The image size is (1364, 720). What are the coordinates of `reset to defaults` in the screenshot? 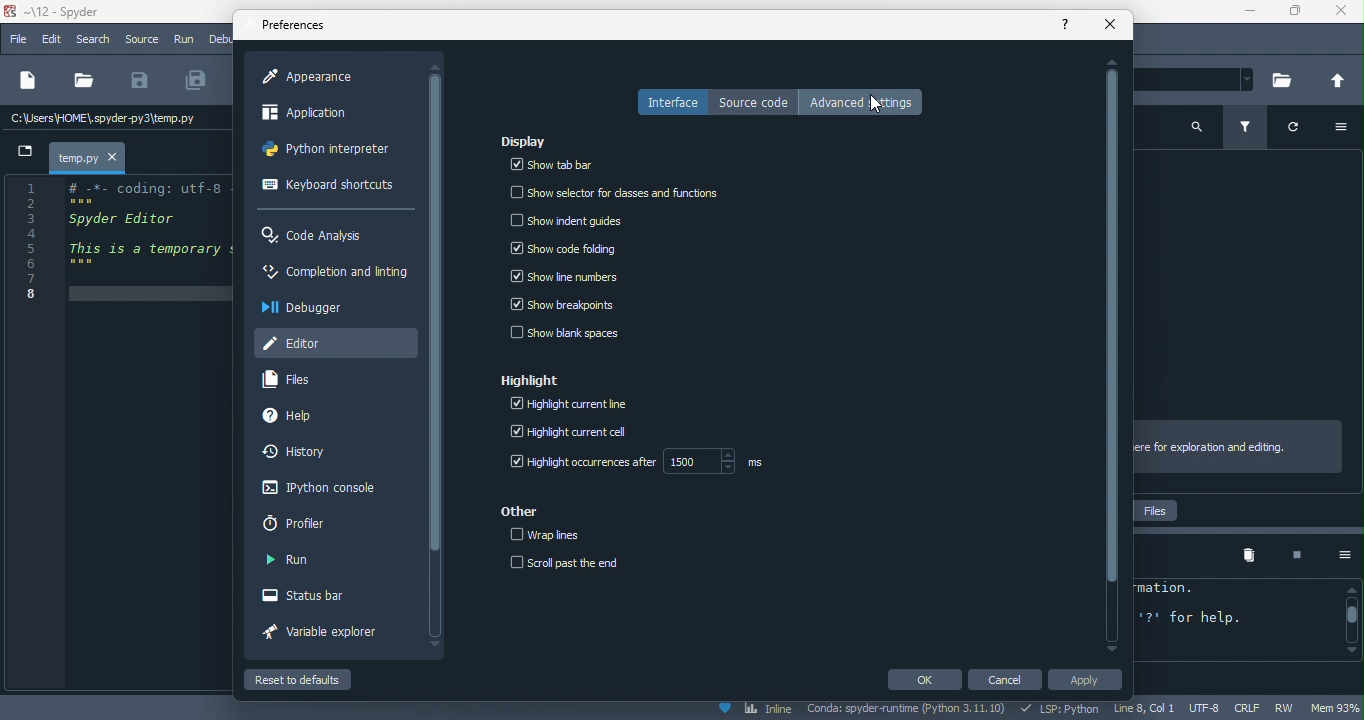 It's located at (318, 679).